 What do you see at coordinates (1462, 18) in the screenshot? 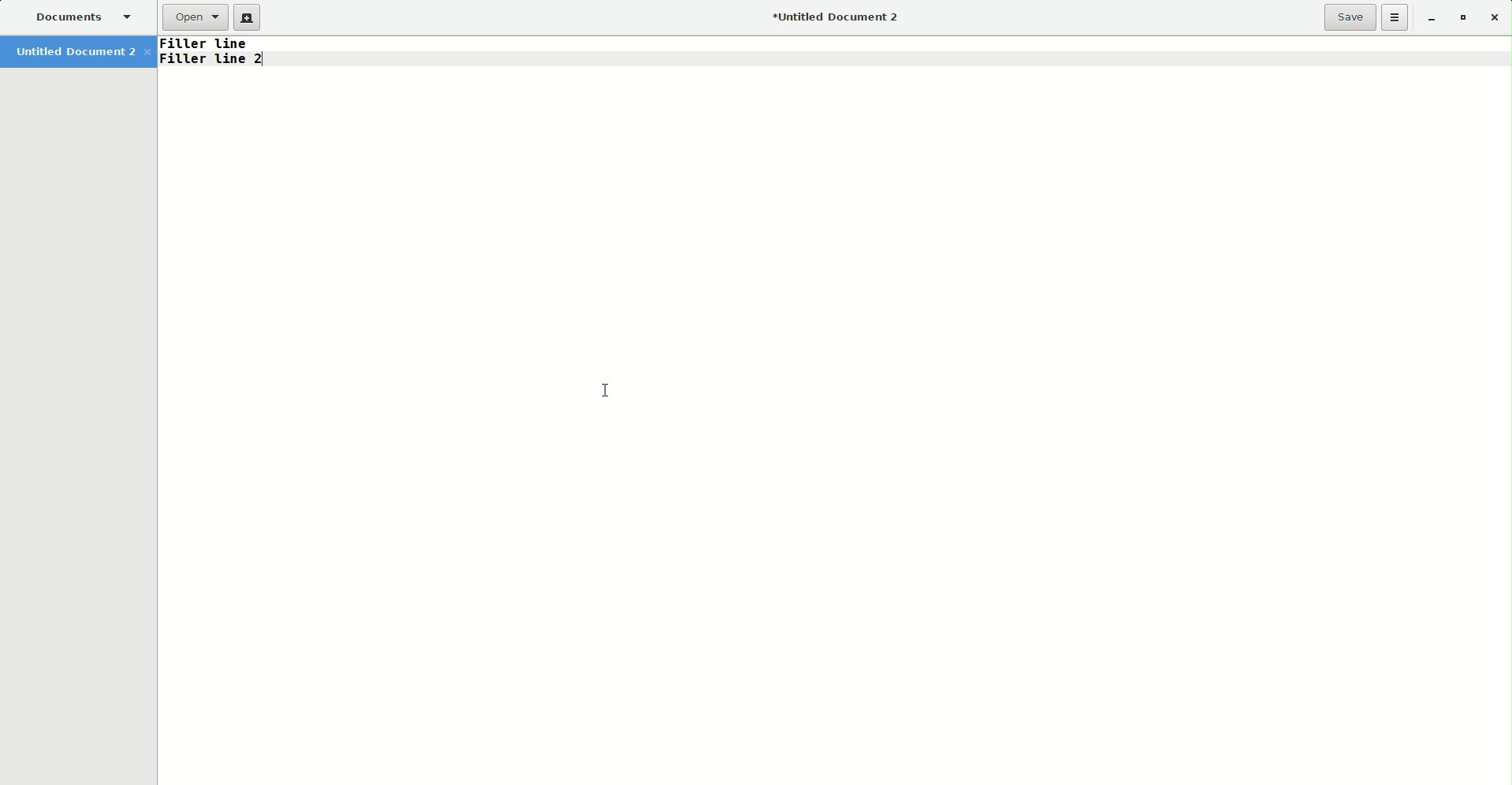
I see `Restore` at bounding box center [1462, 18].